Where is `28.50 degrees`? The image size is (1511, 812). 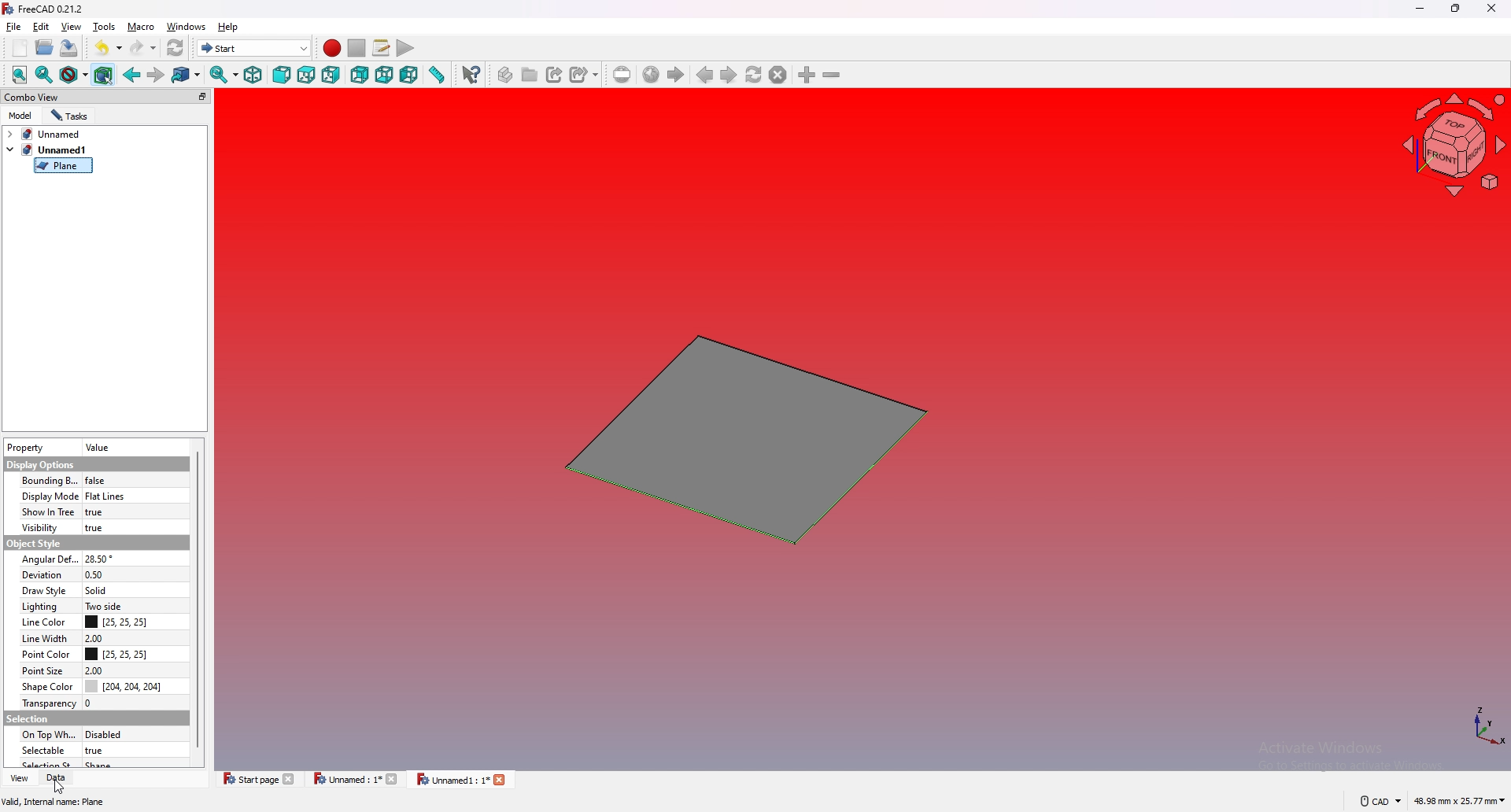
28.50 degrees is located at coordinates (100, 560).